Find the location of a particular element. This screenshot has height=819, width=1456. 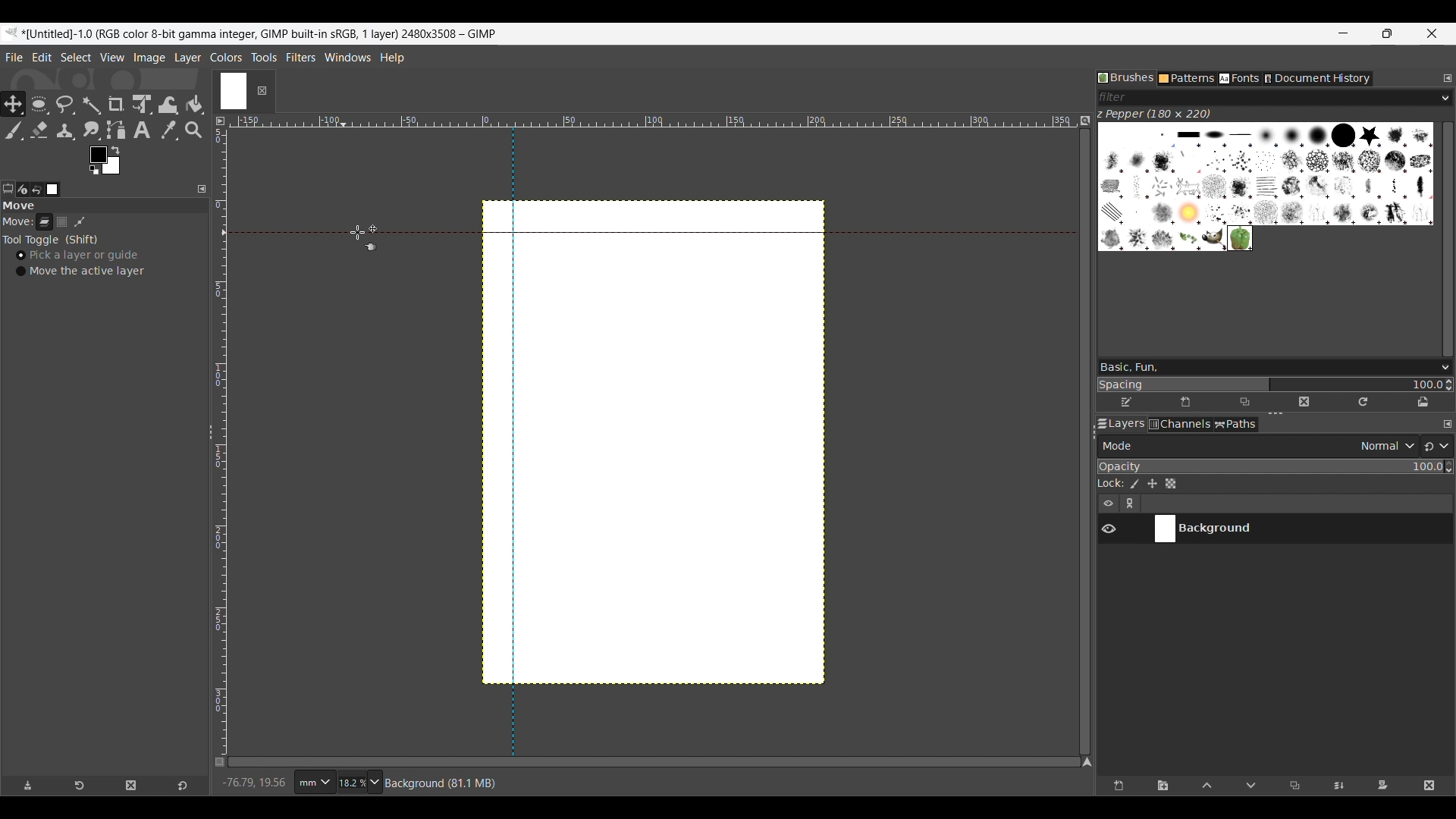

Software logo is located at coordinates (11, 33).